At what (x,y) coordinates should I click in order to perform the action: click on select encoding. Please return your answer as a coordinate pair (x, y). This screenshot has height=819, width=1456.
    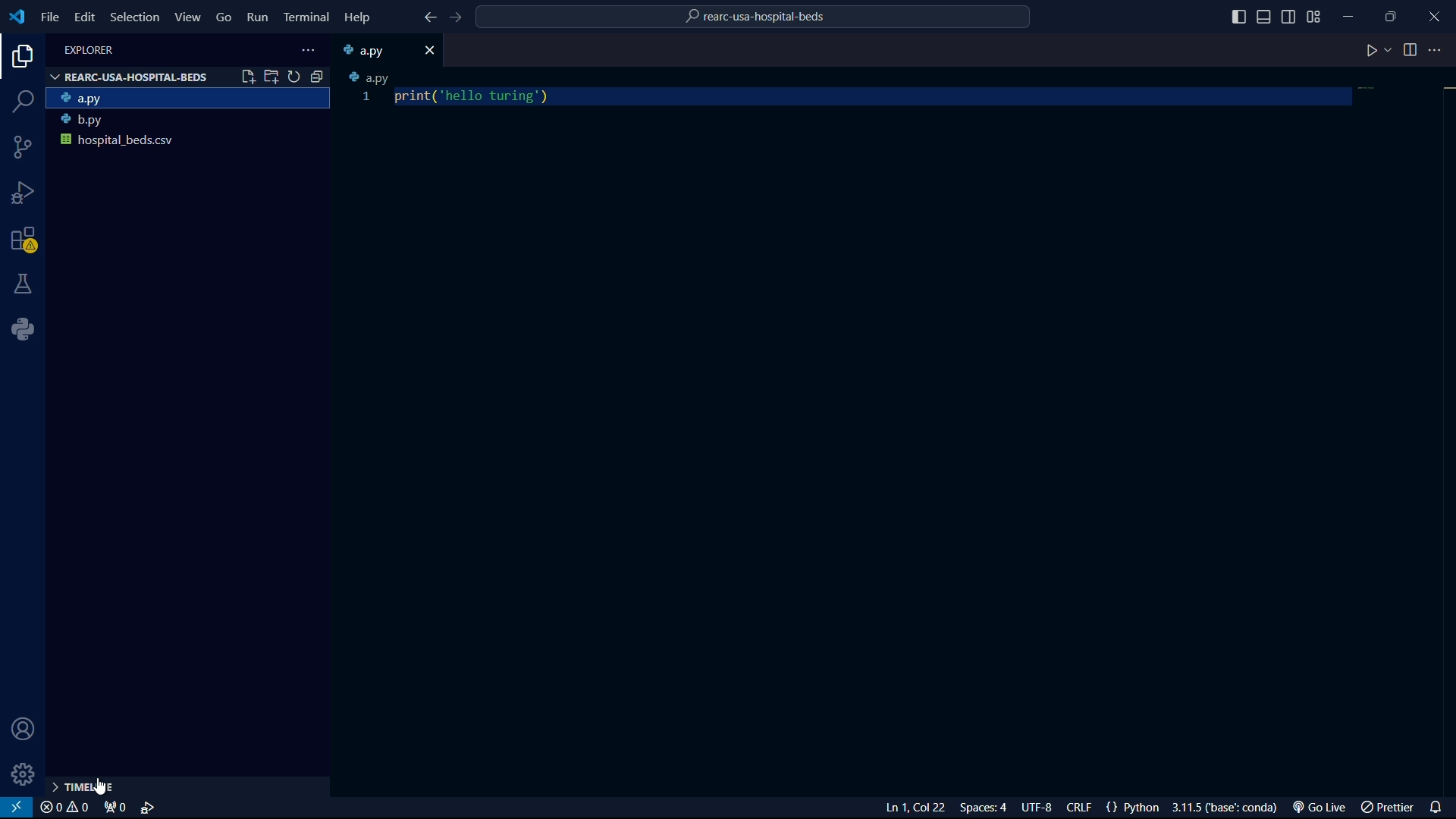
    Looking at the image, I should click on (1035, 808).